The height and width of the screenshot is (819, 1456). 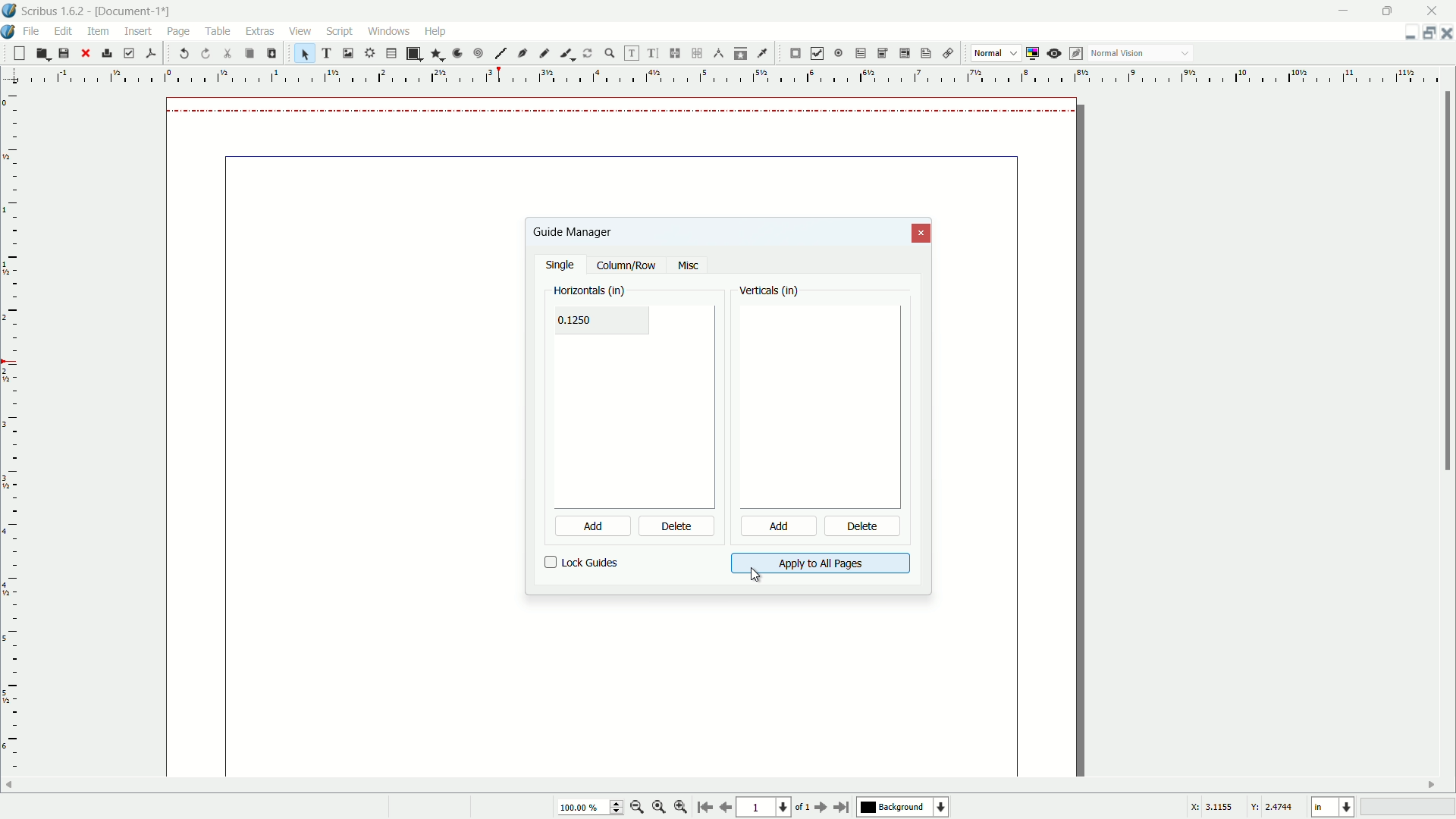 I want to click on column/row, so click(x=626, y=266).